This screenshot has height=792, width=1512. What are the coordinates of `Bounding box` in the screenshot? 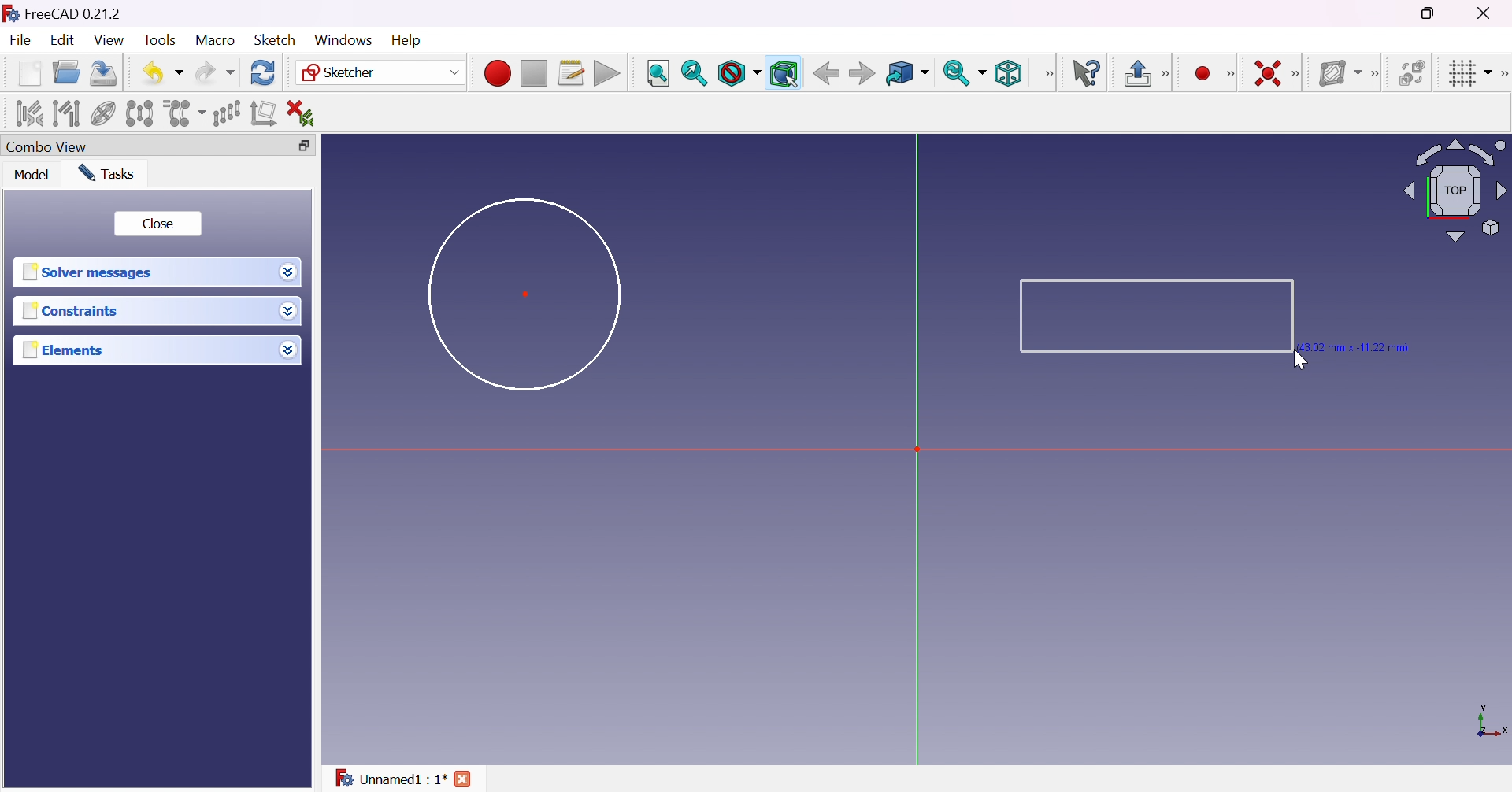 It's located at (785, 74).